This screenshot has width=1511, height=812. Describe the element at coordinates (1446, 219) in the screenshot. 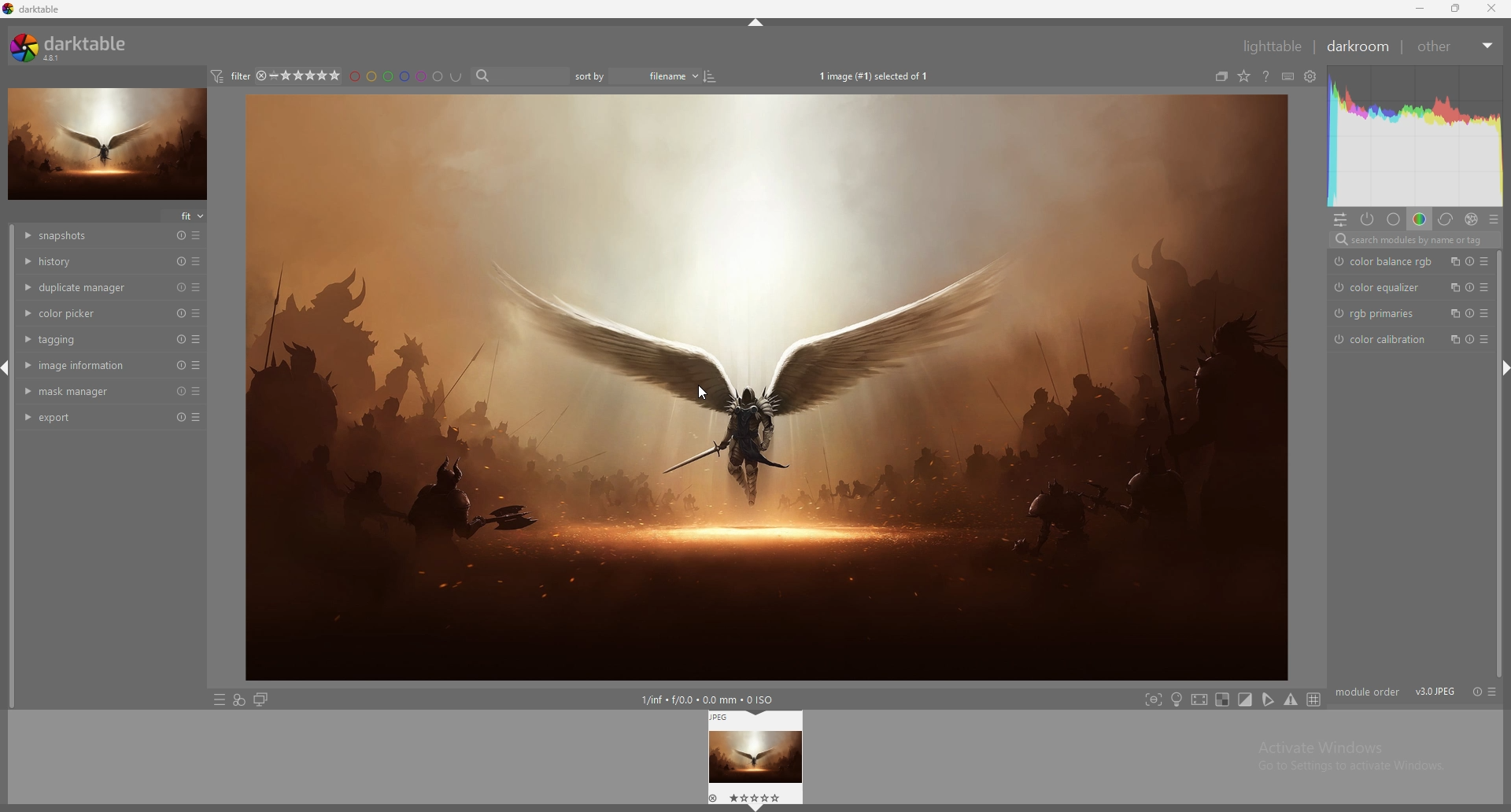

I see `correct` at that location.